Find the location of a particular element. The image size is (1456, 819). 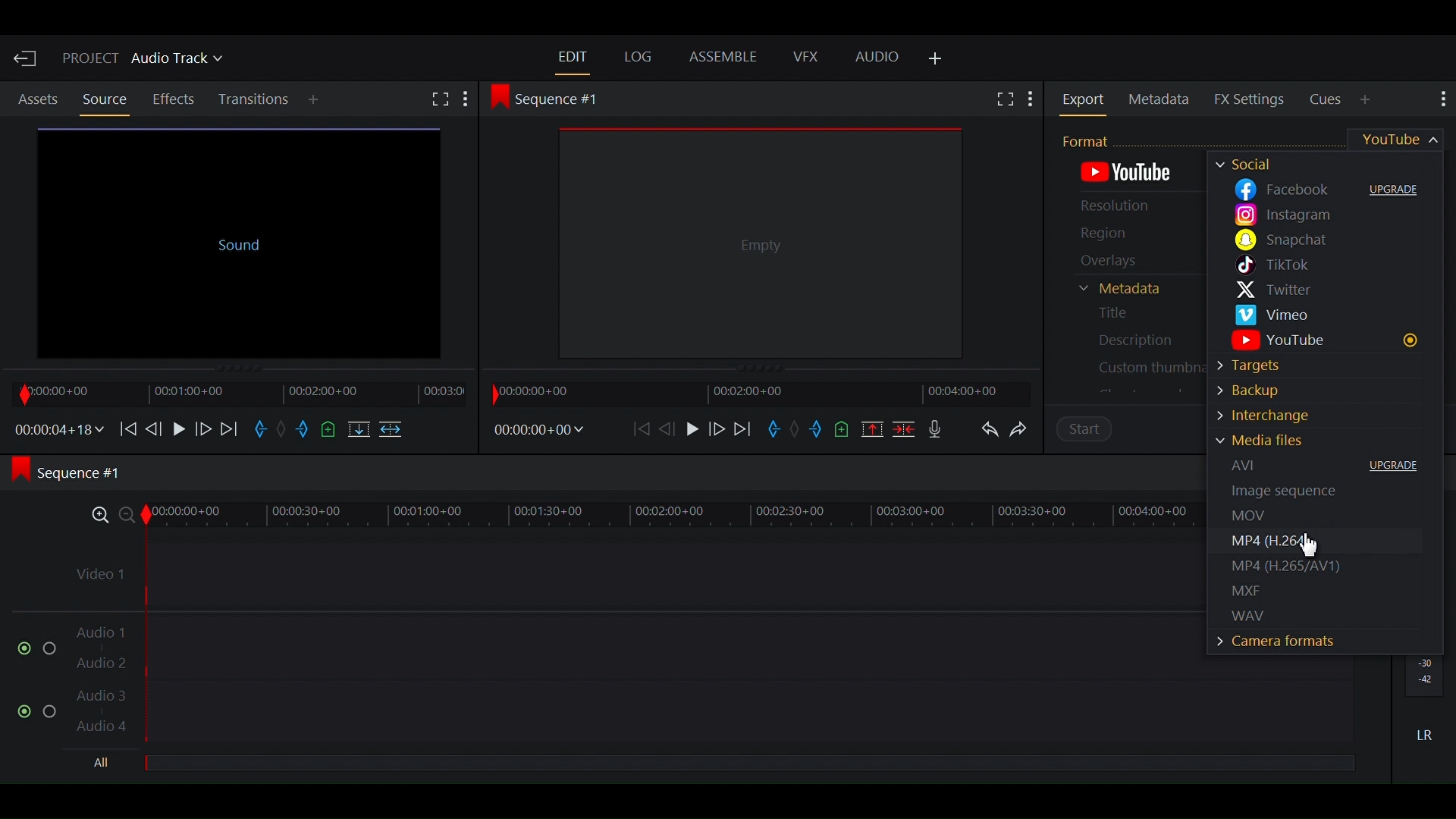

Default Export Format is located at coordinates (1132, 174).